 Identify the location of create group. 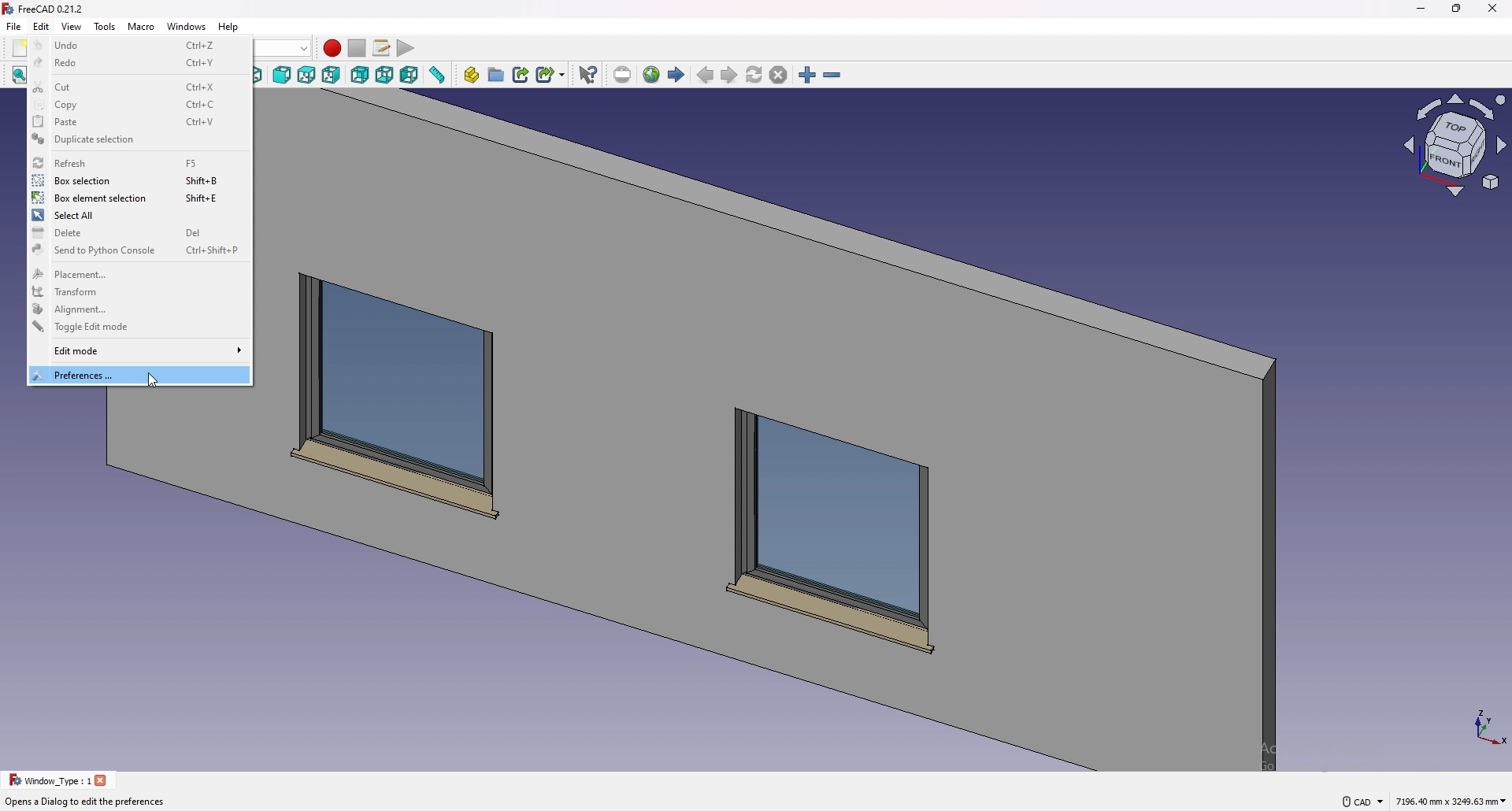
(498, 74).